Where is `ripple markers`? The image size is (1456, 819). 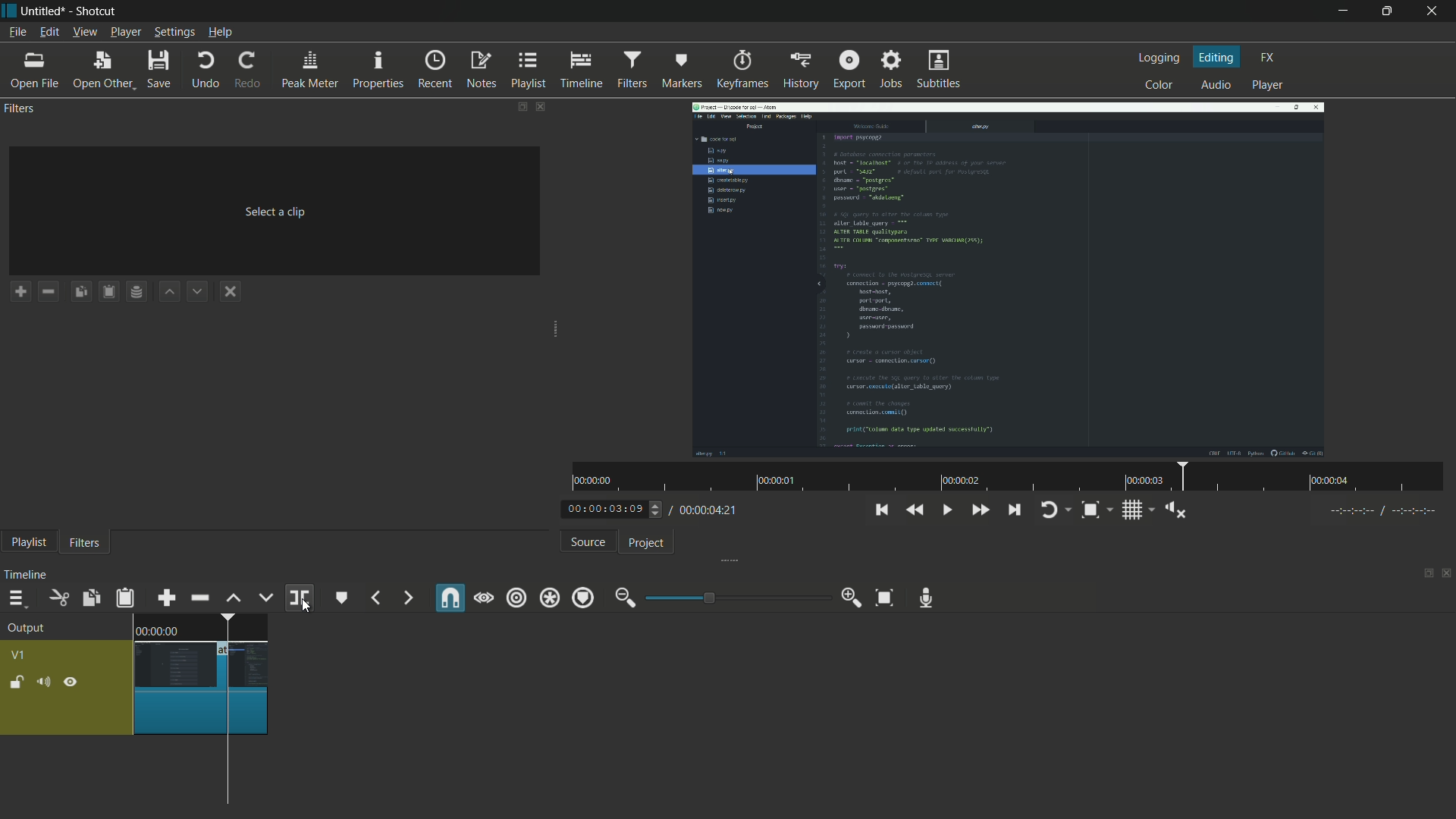
ripple markers is located at coordinates (584, 598).